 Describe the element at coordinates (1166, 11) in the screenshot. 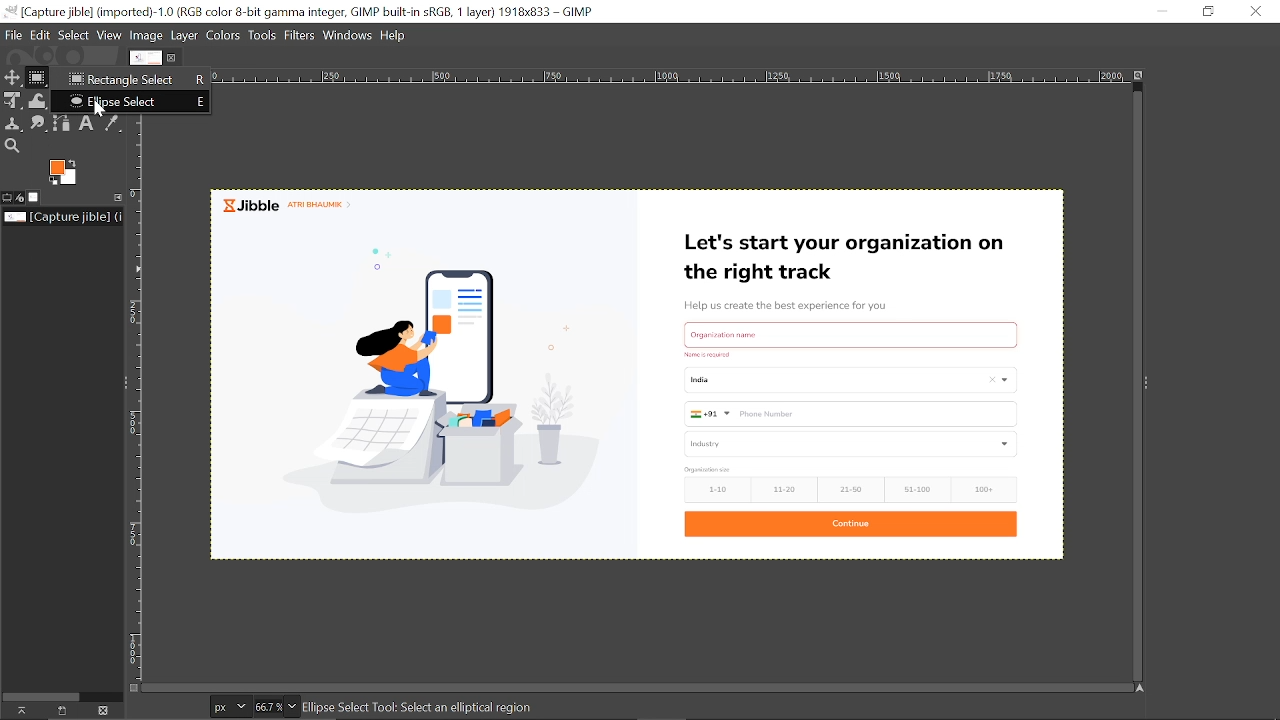

I see `Minimize` at that location.